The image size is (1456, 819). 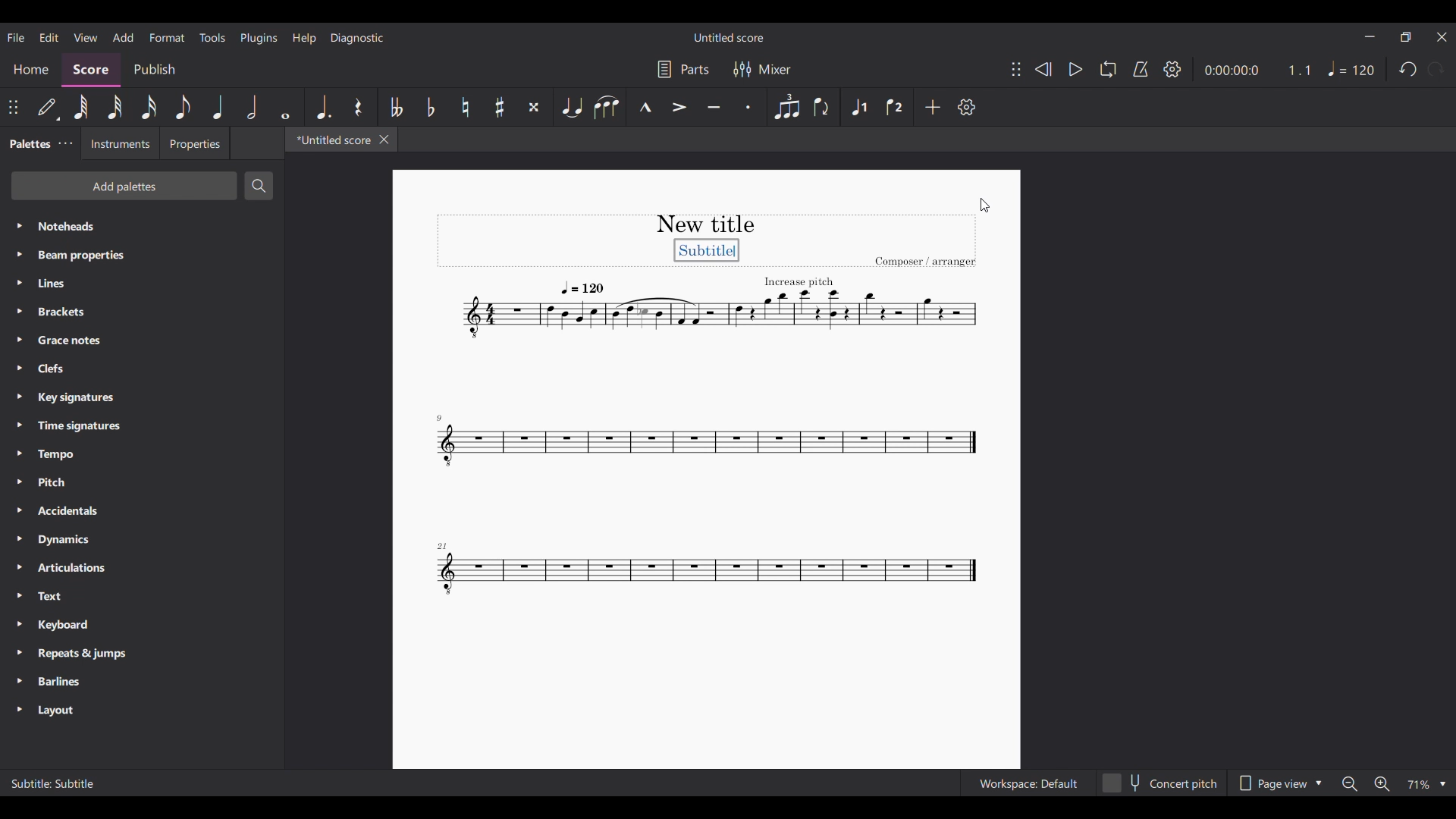 What do you see at coordinates (141, 654) in the screenshot?
I see `Repeats & jumps` at bounding box center [141, 654].